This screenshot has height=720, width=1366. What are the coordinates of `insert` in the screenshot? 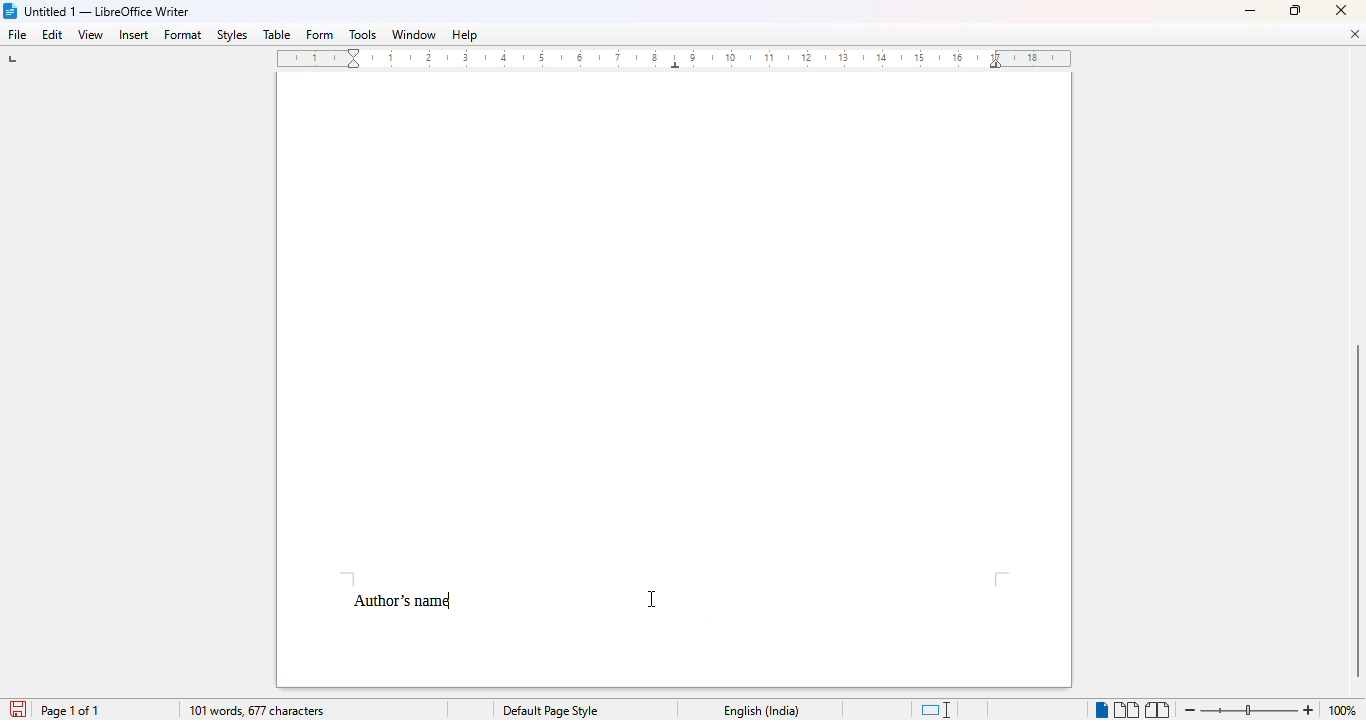 It's located at (135, 35).